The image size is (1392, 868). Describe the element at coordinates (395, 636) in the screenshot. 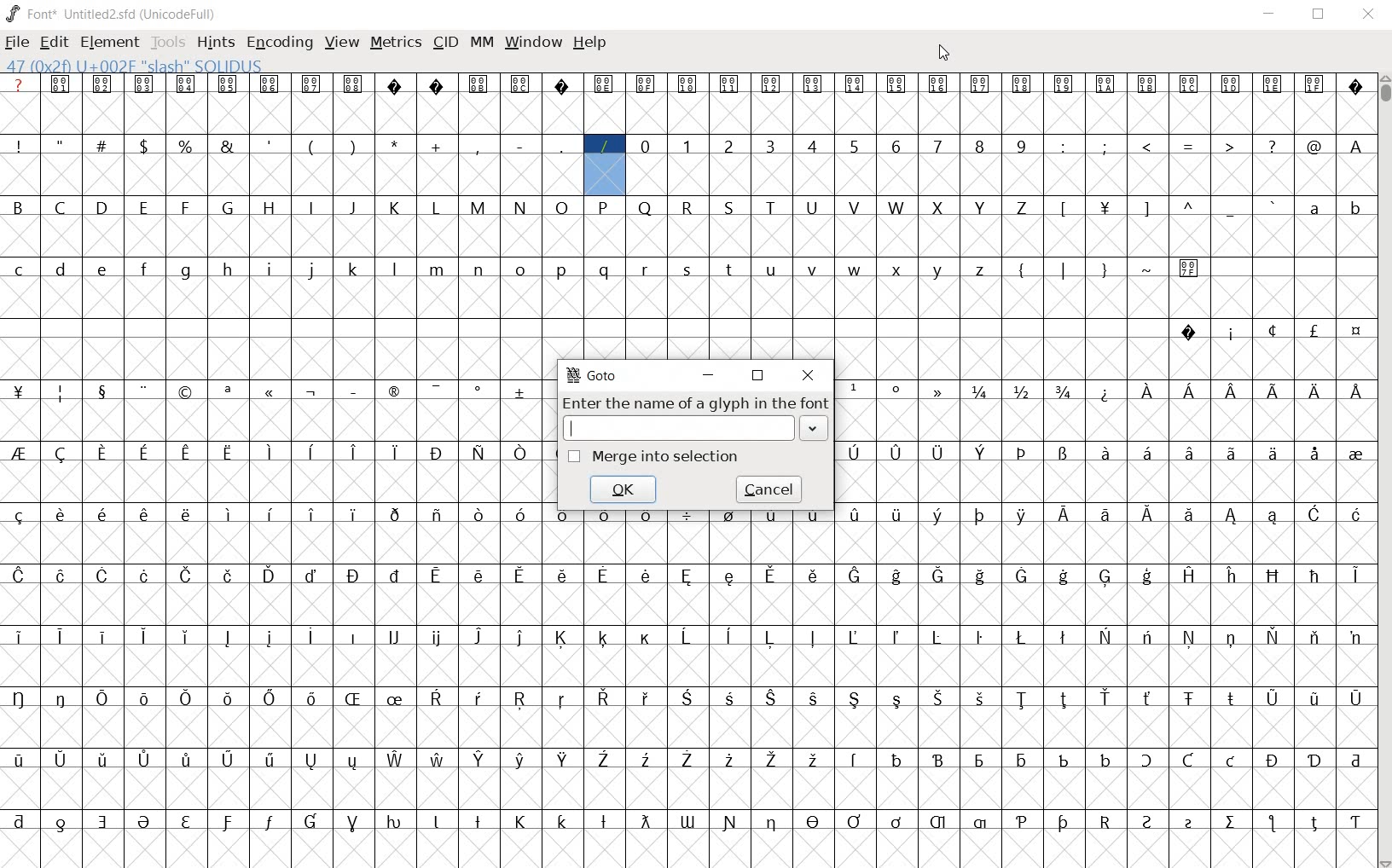

I see `glyph` at that location.